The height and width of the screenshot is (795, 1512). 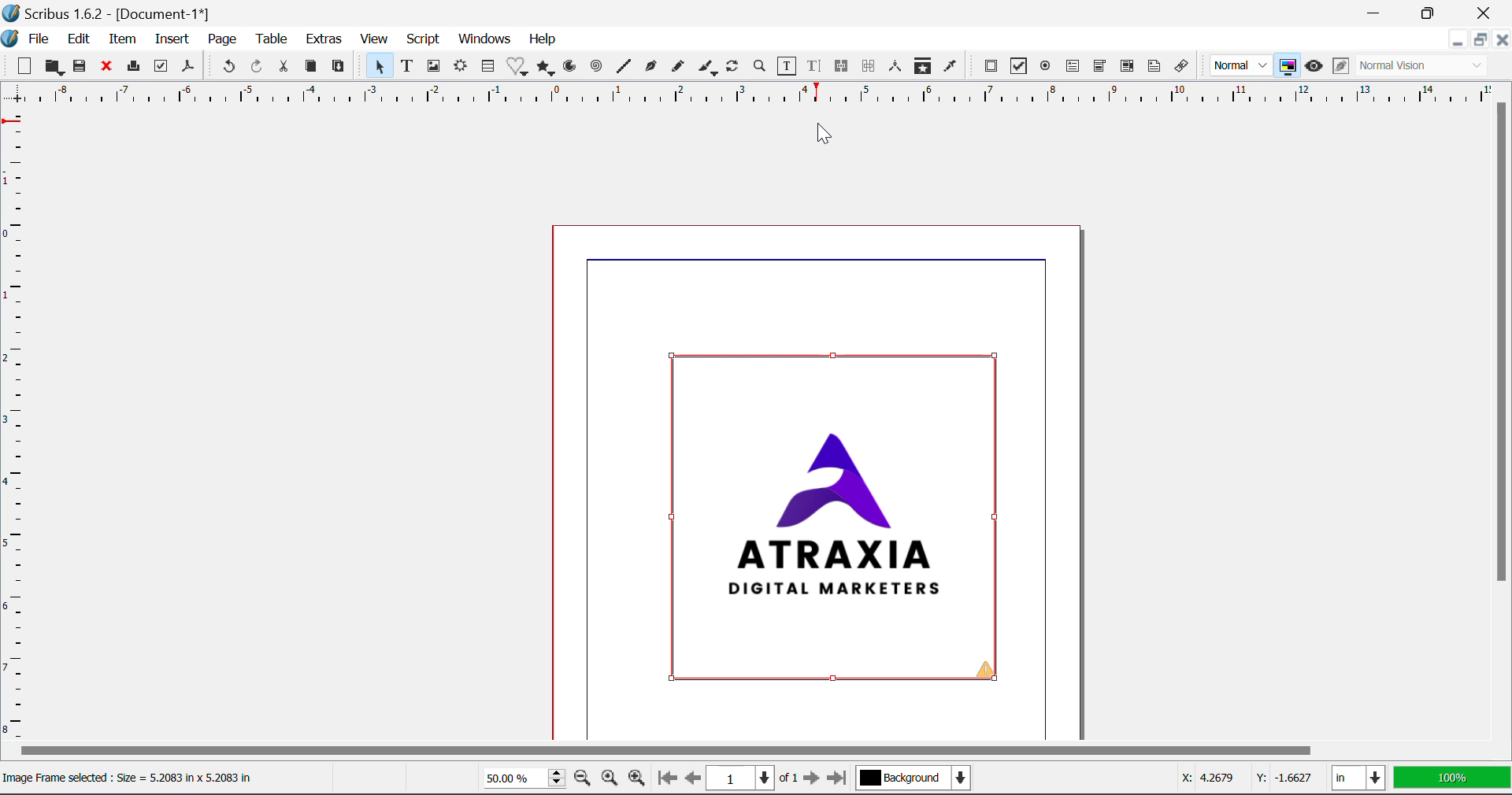 What do you see at coordinates (260, 67) in the screenshot?
I see `Redo` at bounding box center [260, 67].